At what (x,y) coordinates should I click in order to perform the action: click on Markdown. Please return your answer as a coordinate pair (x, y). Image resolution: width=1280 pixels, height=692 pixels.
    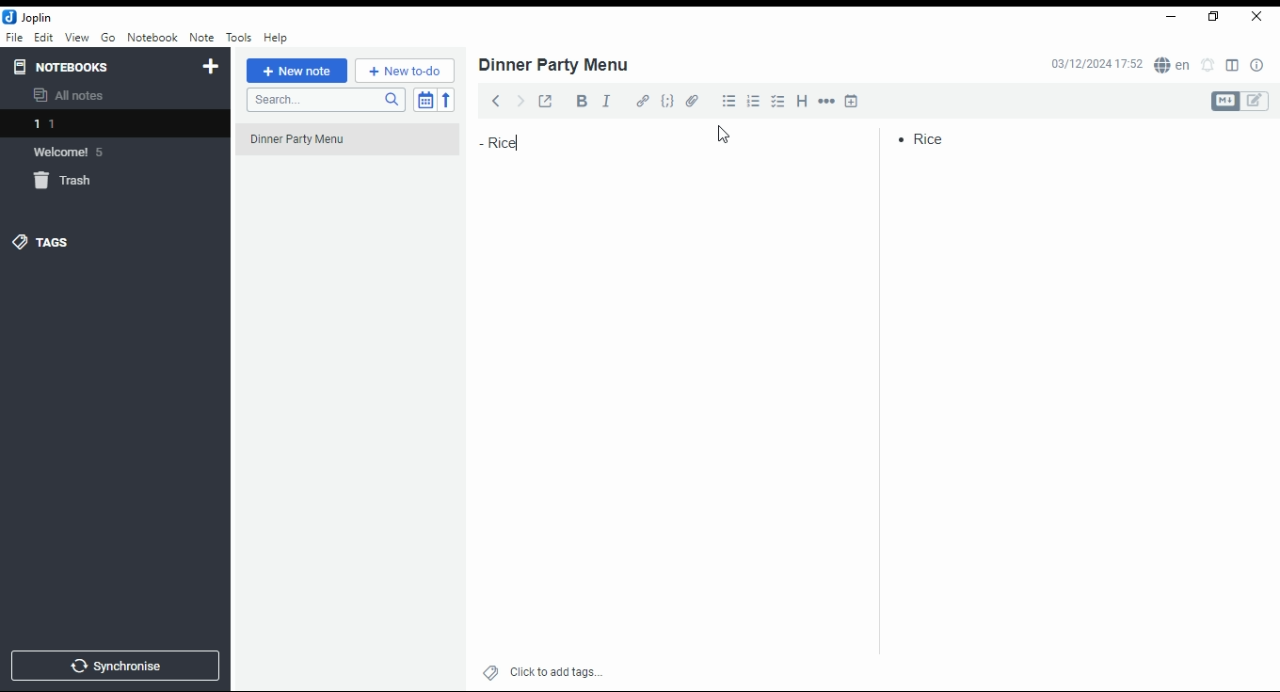
    Looking at the image, I should click on (1224, 101).